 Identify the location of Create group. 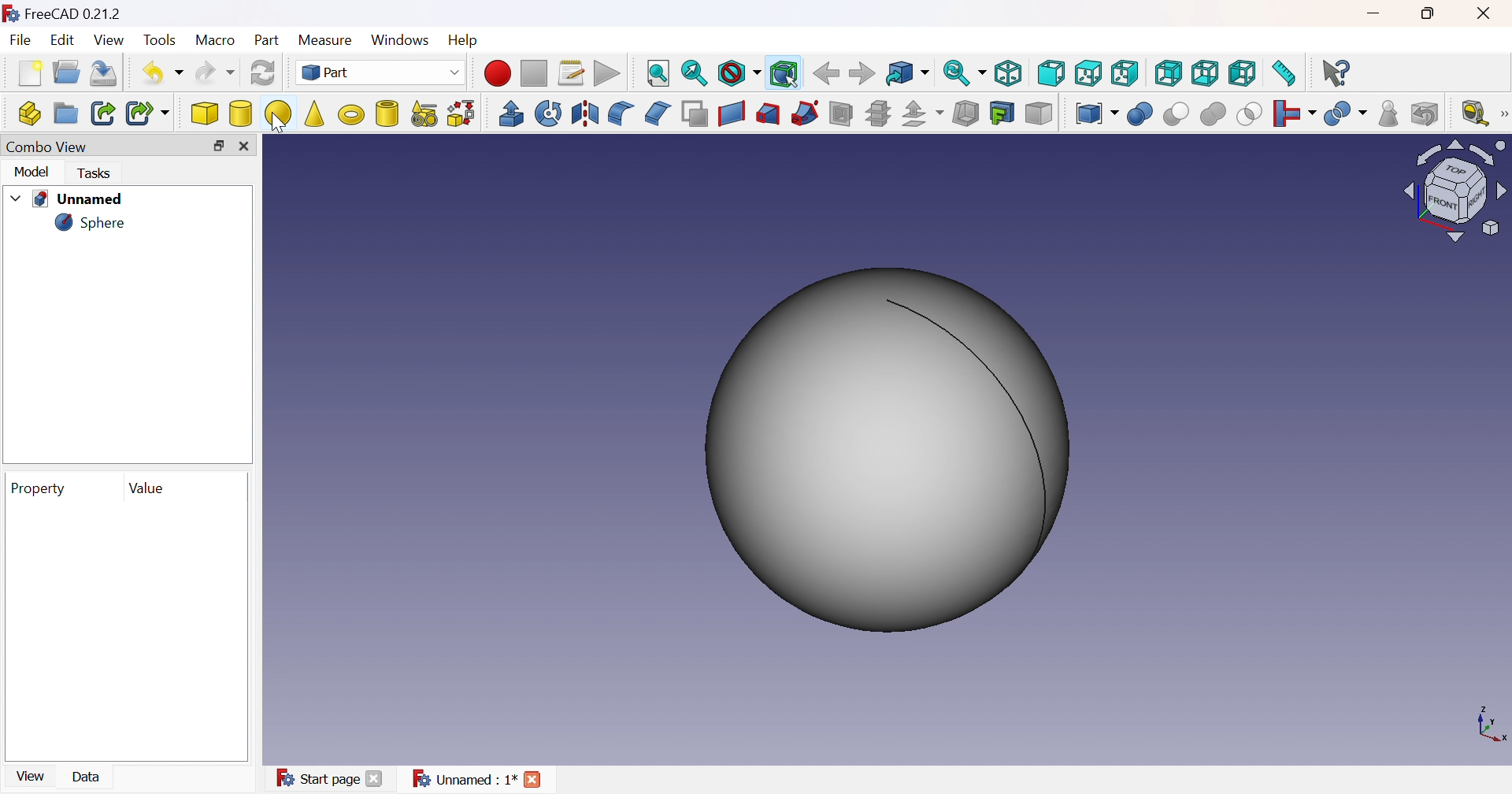
(66, 114).